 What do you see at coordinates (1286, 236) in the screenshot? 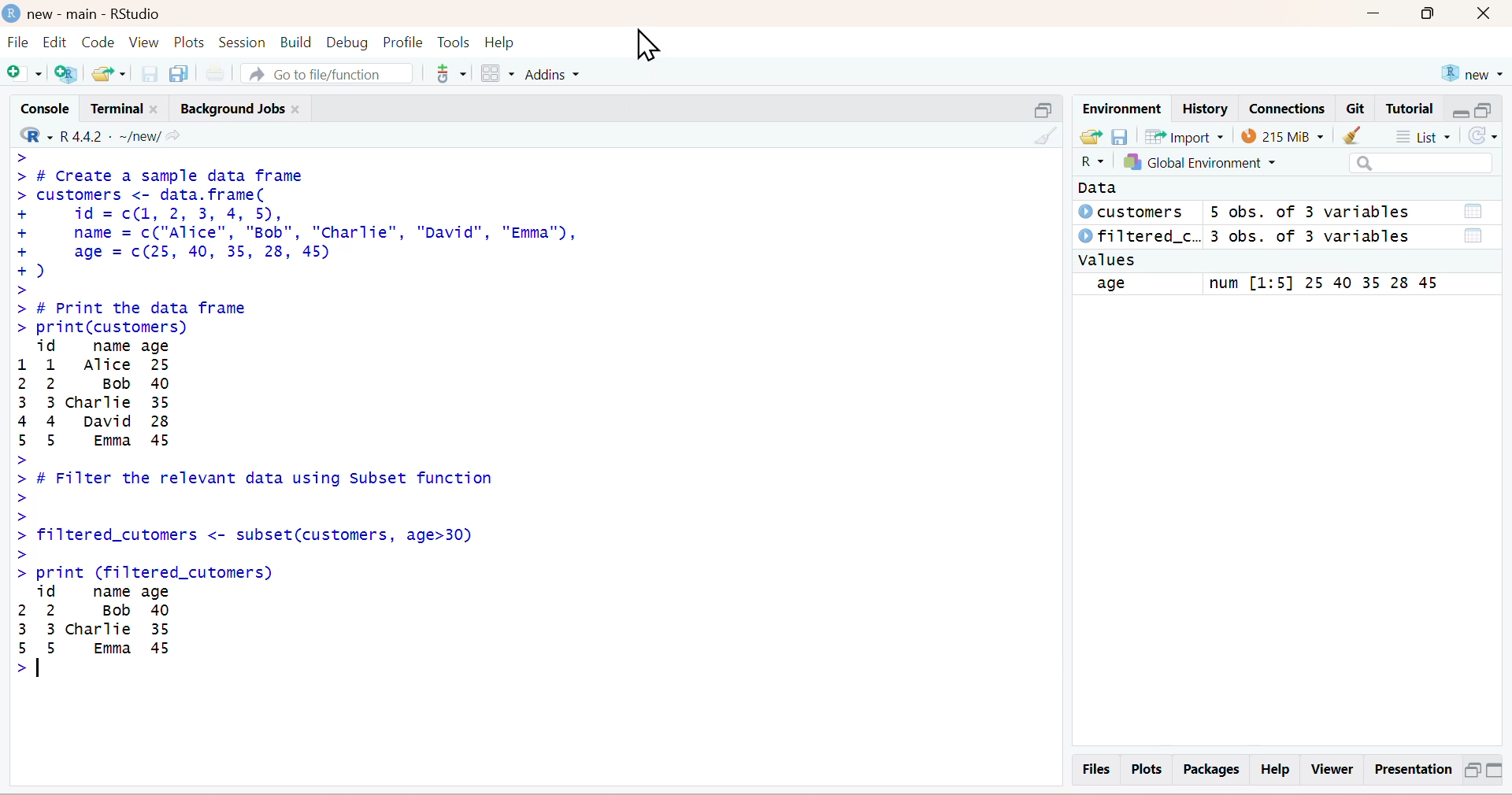
I see `© filtered_c.. 3 obs. of 3 variables` at bounding box center [1286, 236].